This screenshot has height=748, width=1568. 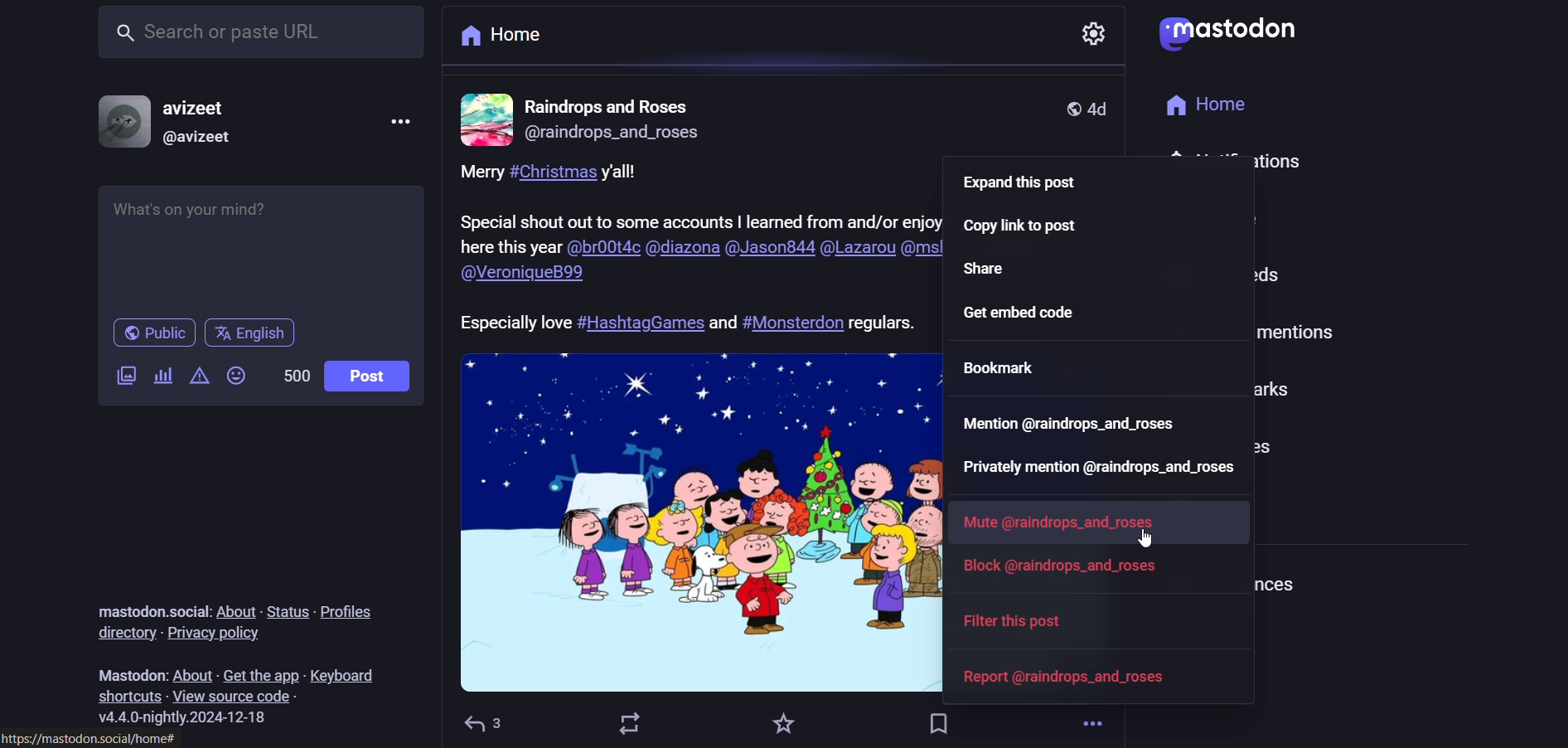 I want to click on view source code, so click(x=235, y=697).